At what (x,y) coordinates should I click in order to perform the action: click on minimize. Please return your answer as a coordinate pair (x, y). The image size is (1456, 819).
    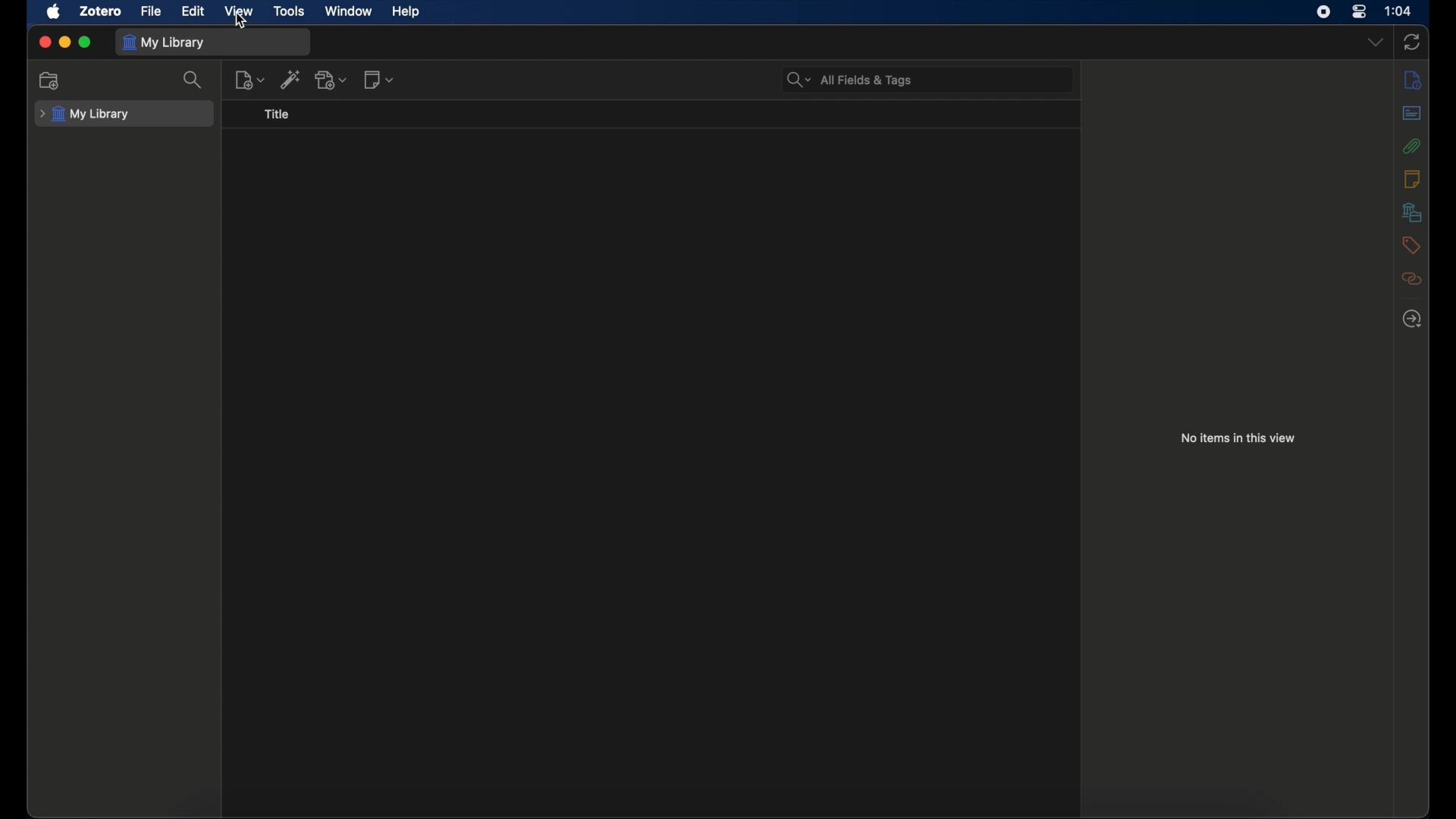
    Looking at the image, I should click on (64, 42).